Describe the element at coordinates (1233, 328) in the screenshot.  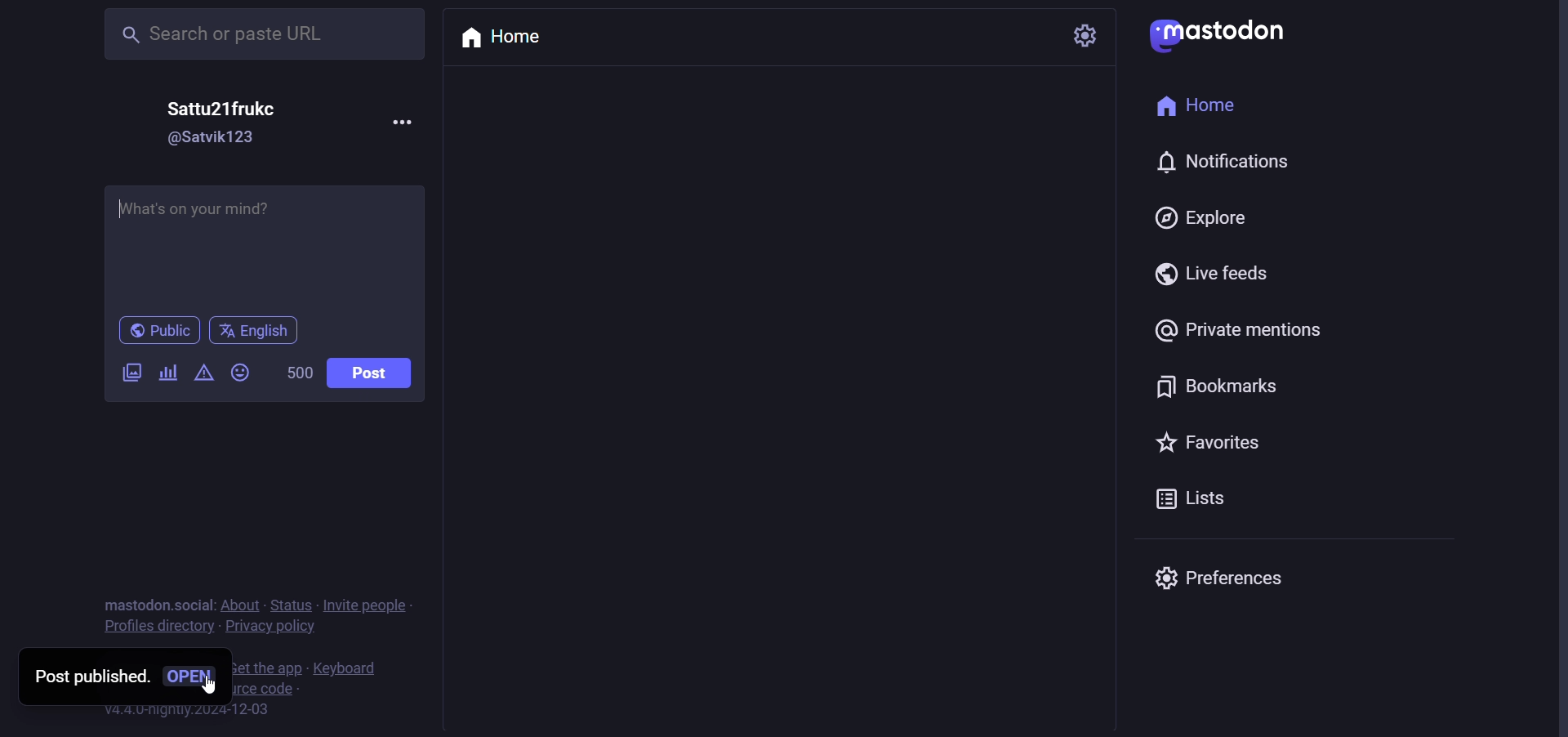
I see `private mention` at that location.